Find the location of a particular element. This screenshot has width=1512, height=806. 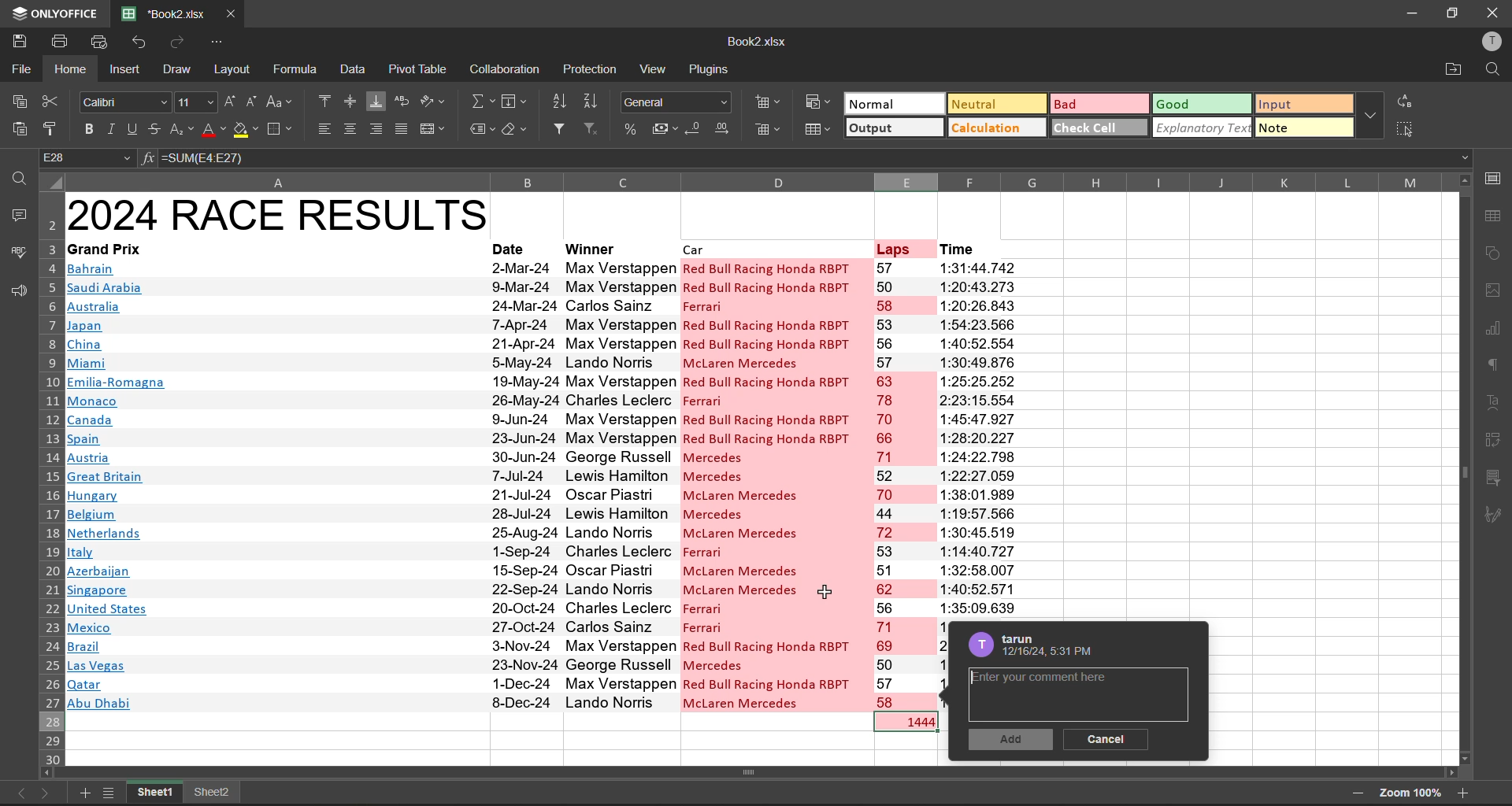

insert cells is located at coordinates (771, 104).